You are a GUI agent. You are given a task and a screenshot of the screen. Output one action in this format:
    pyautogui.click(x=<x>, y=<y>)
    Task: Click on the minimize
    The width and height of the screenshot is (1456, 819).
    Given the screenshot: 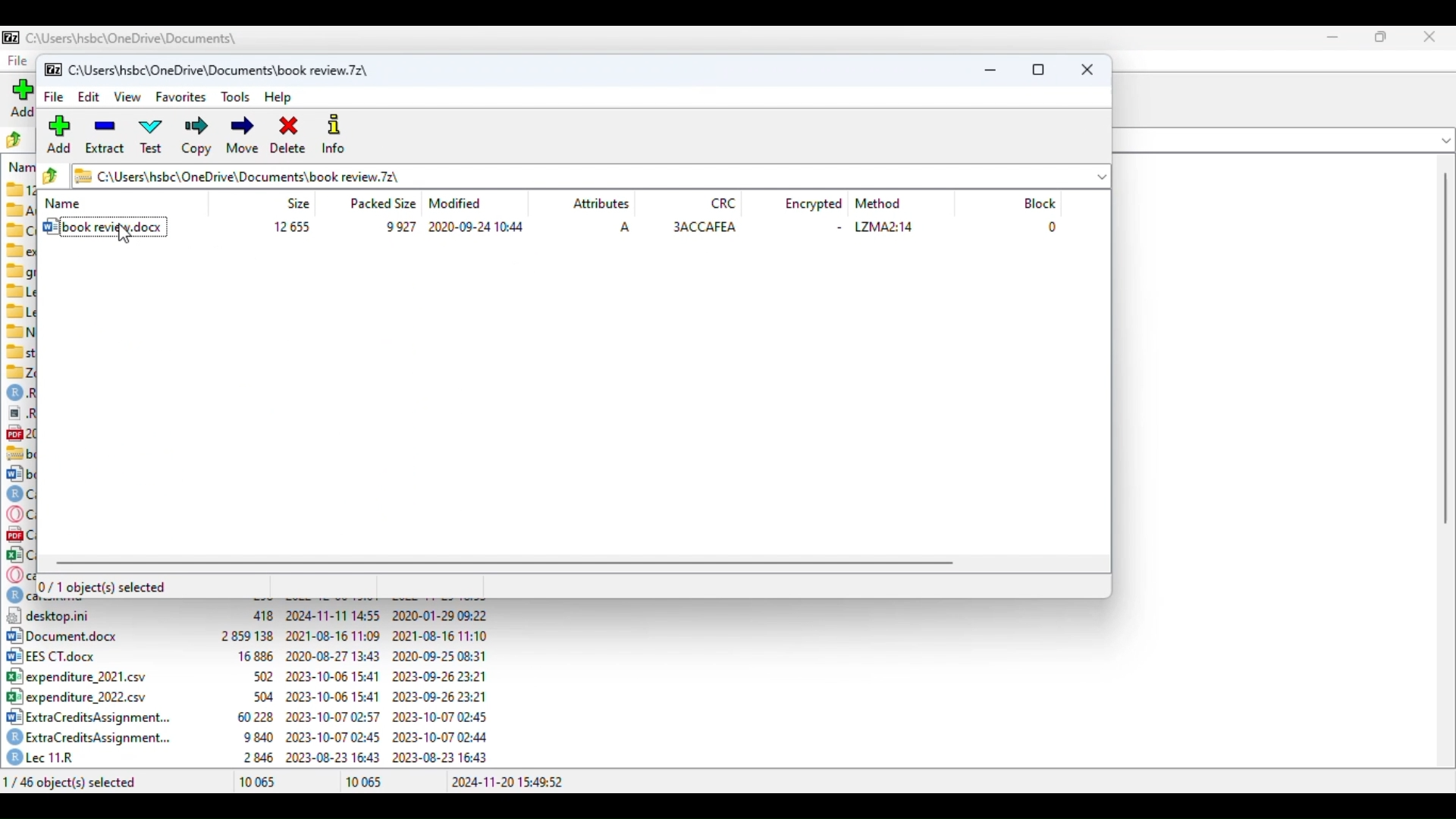 What is the action you would take?
    pyautogui.click(x=989, y=71)
    